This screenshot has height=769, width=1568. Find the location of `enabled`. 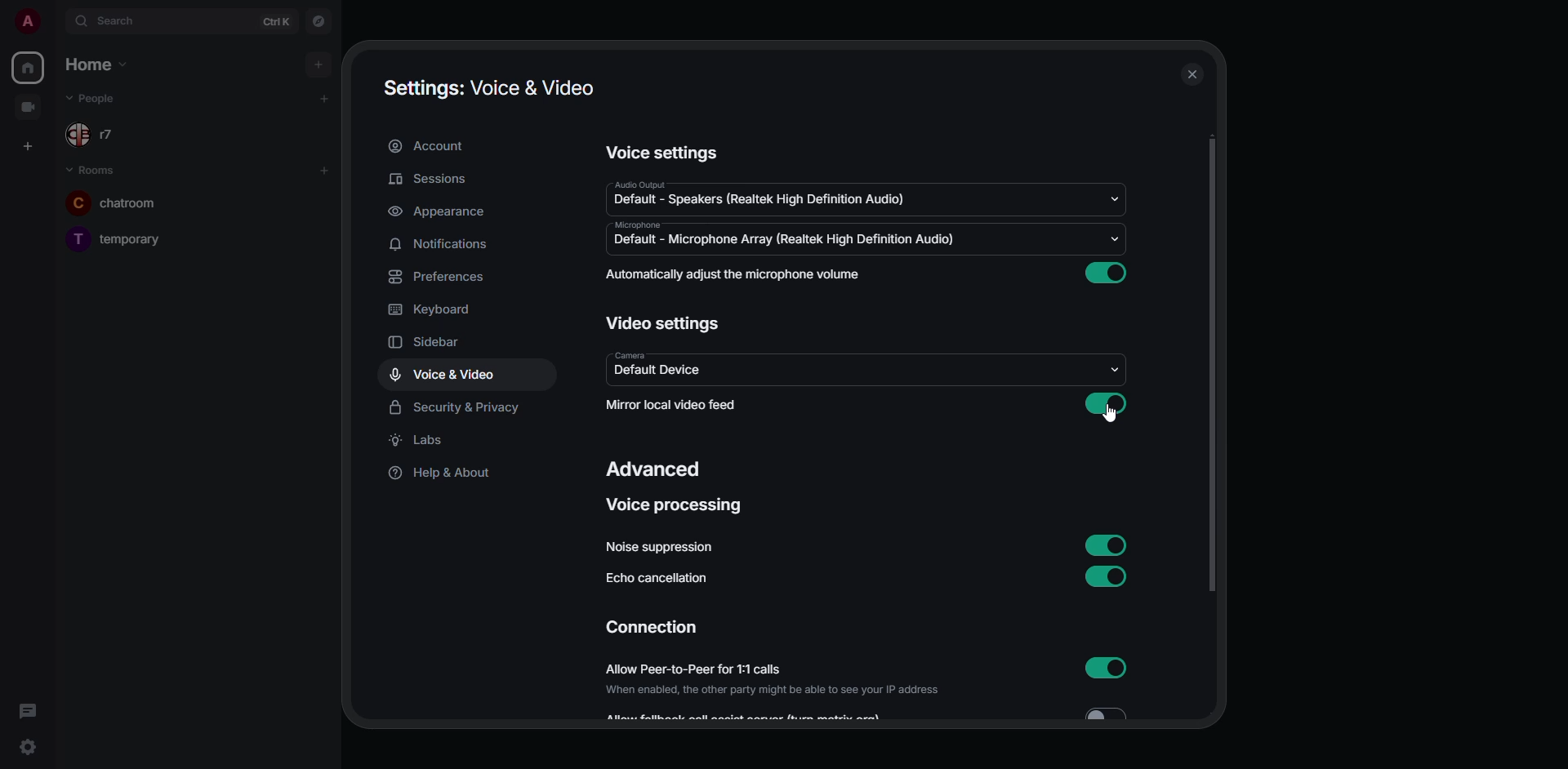

enabled is located at coordinates (1106, 544).